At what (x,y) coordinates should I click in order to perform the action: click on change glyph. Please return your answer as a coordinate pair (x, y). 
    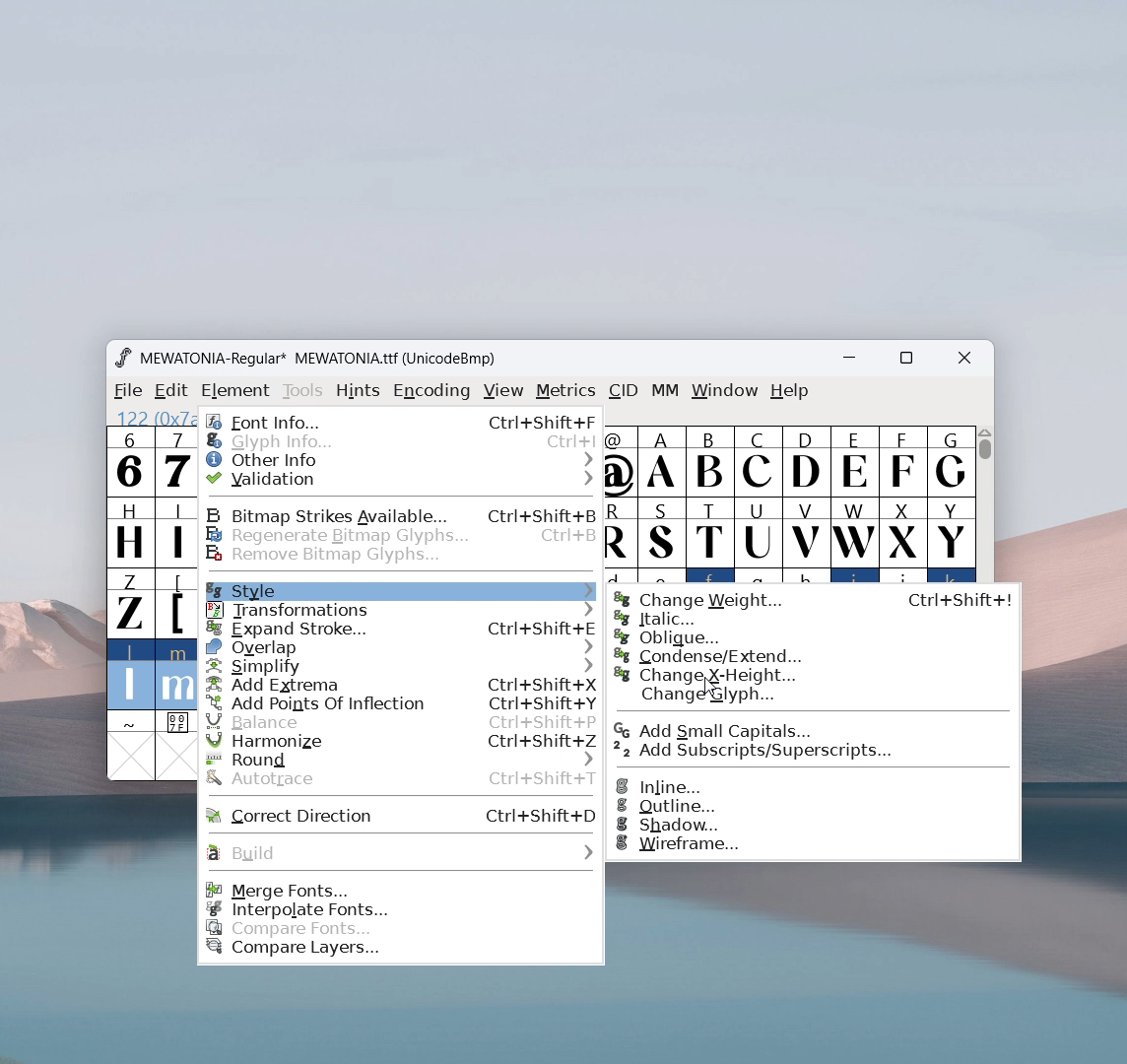
    Looking at the image, I should click on (815, 695).